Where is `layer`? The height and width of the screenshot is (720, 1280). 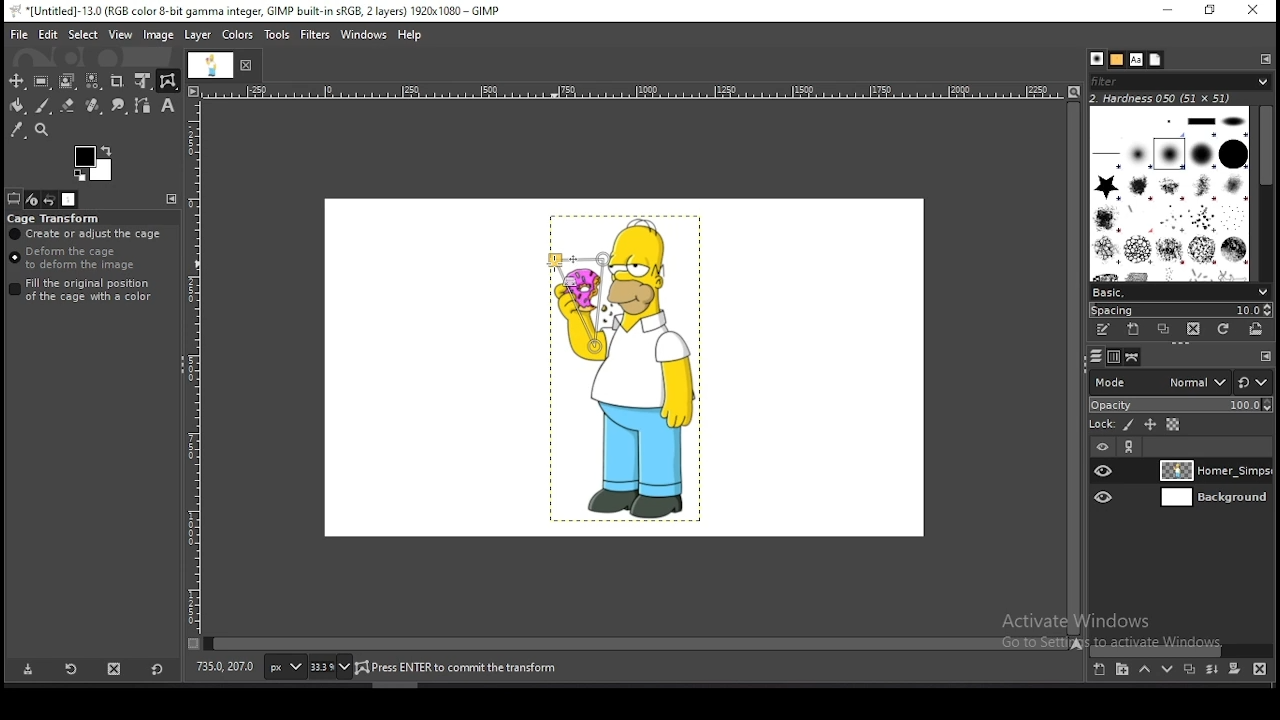 layer is located at coordinates (1211, 499).